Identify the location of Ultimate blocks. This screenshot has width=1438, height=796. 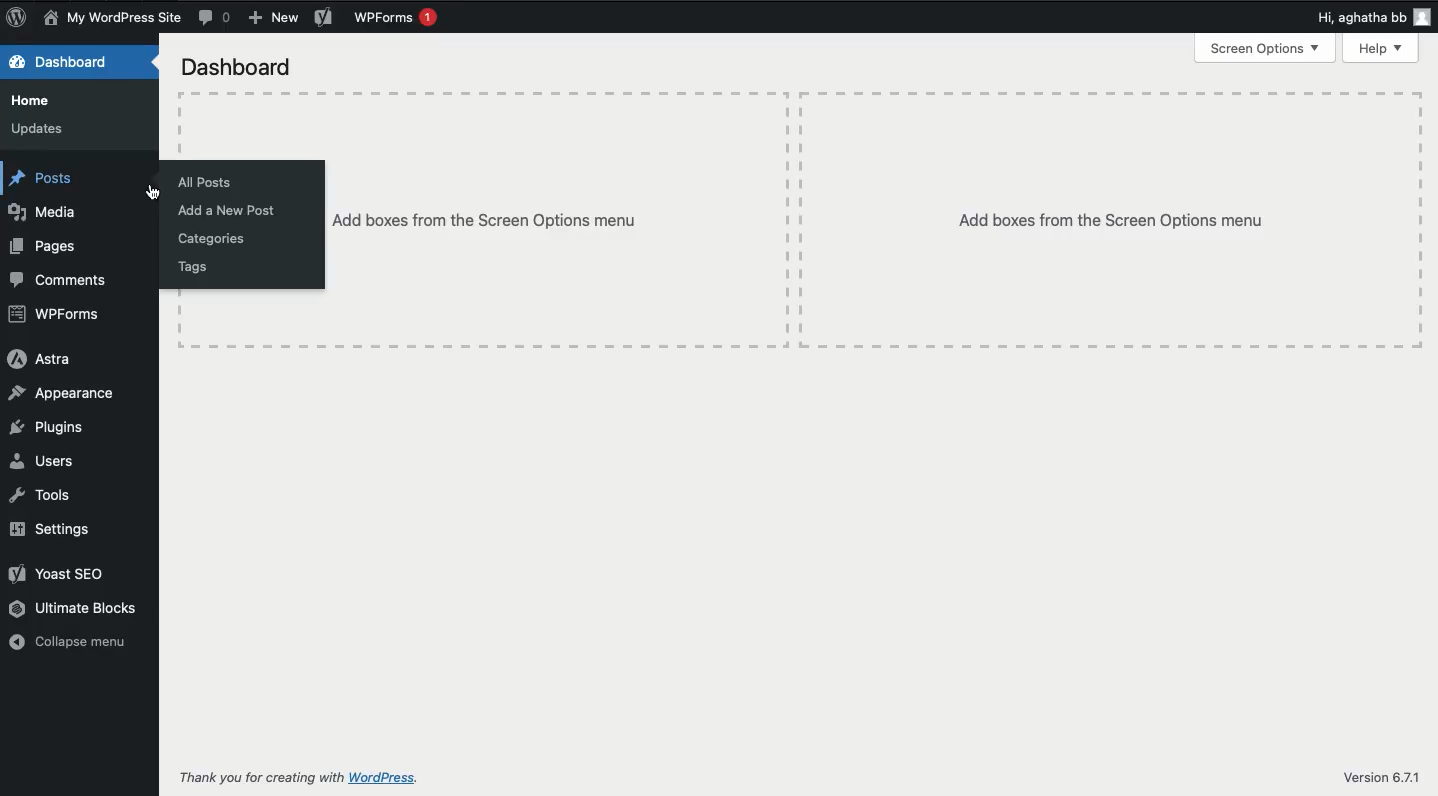
(74, 607).